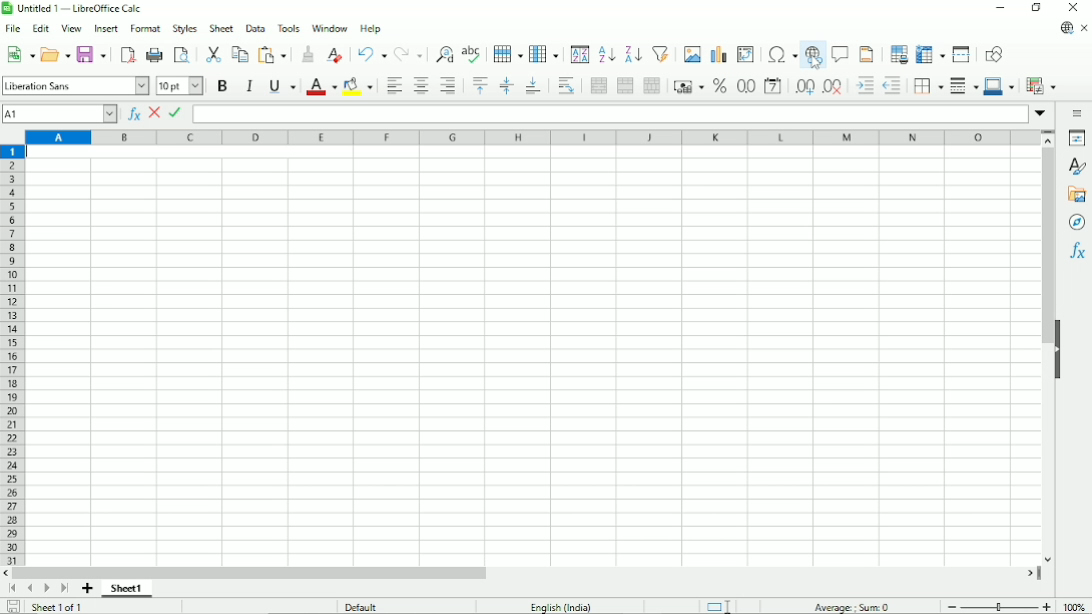 This screenshot has height=614, width=1092. What do you see at coordinates (11, 607) in the screenshot?
I see `Save` at bounding box center [11, 607].